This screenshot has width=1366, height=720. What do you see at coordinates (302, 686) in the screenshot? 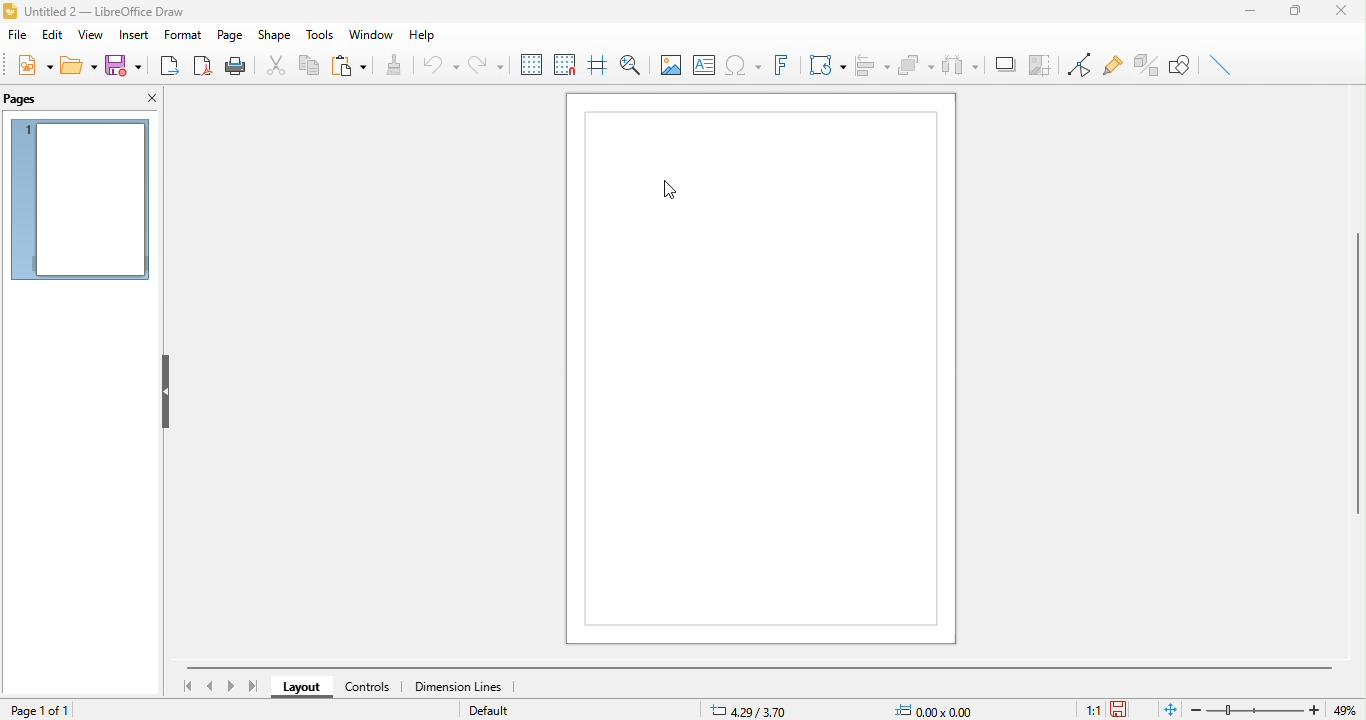
I see `layout` at bounding box center [302, 686].